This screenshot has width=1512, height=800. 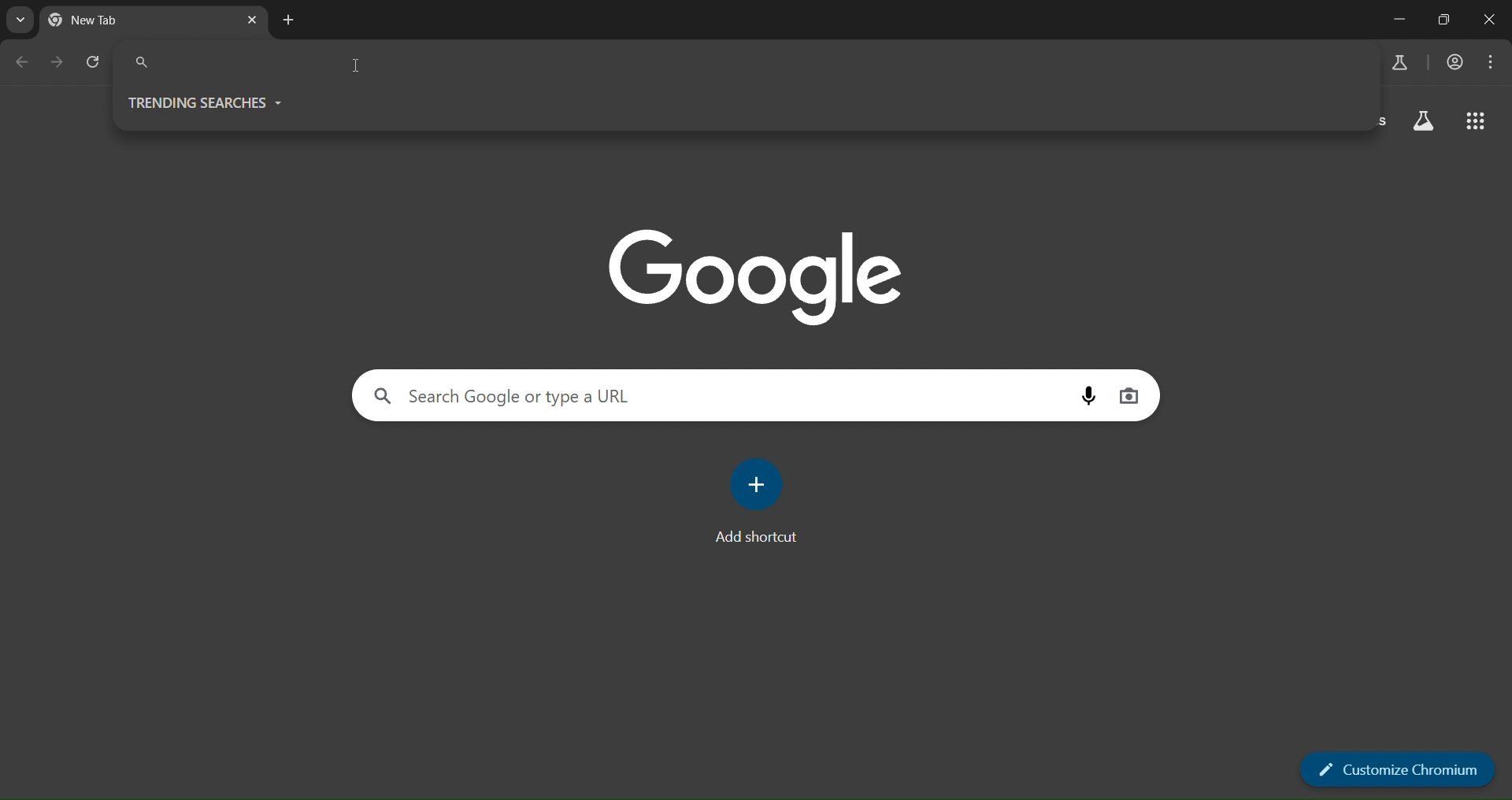 What do you see at coordinates (1443, 19) in the screenshot?
I see `Maximize` at bounding box center [1443, 19].